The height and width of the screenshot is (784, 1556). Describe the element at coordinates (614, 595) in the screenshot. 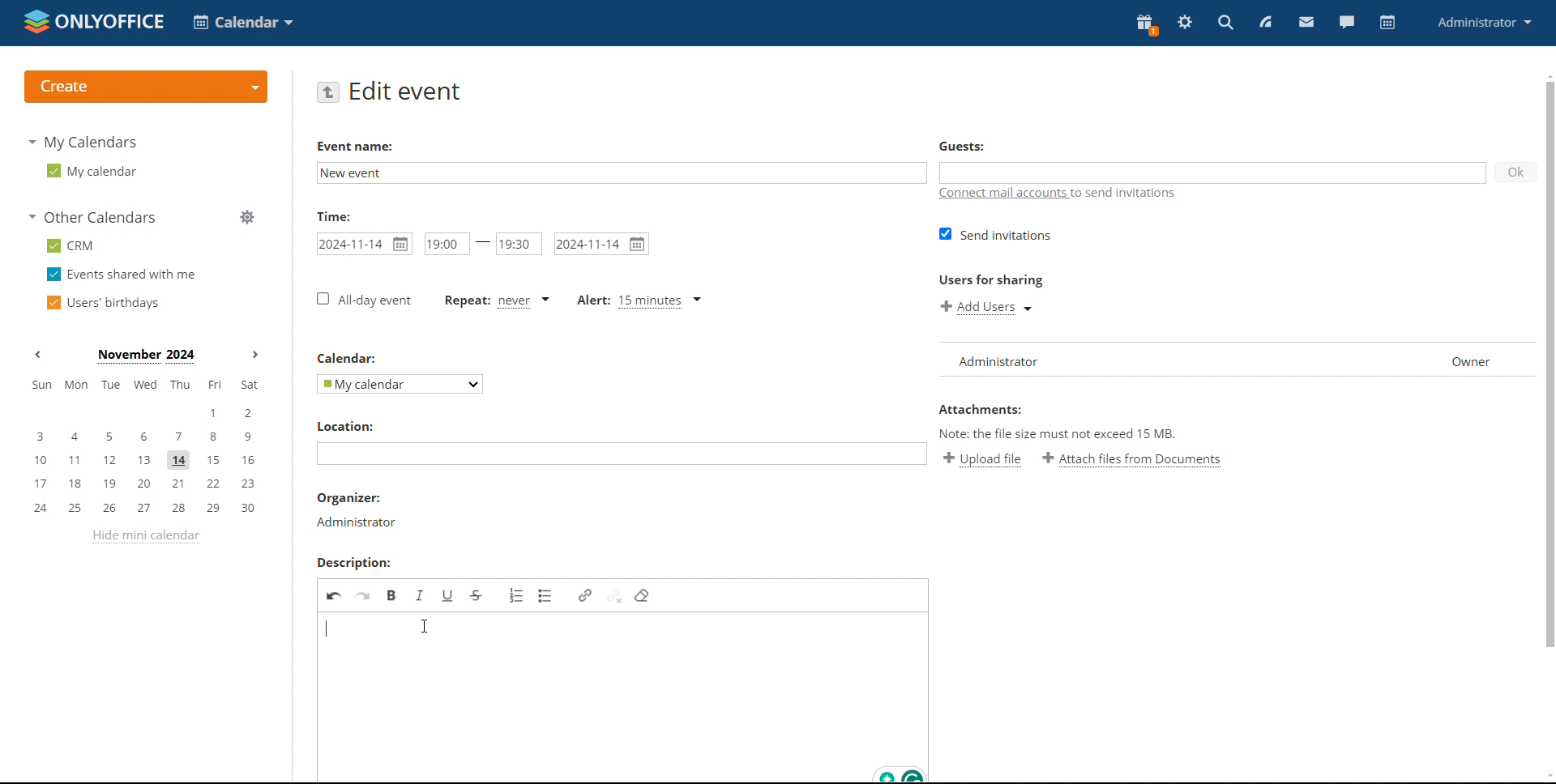

I see `unlink` at that location.